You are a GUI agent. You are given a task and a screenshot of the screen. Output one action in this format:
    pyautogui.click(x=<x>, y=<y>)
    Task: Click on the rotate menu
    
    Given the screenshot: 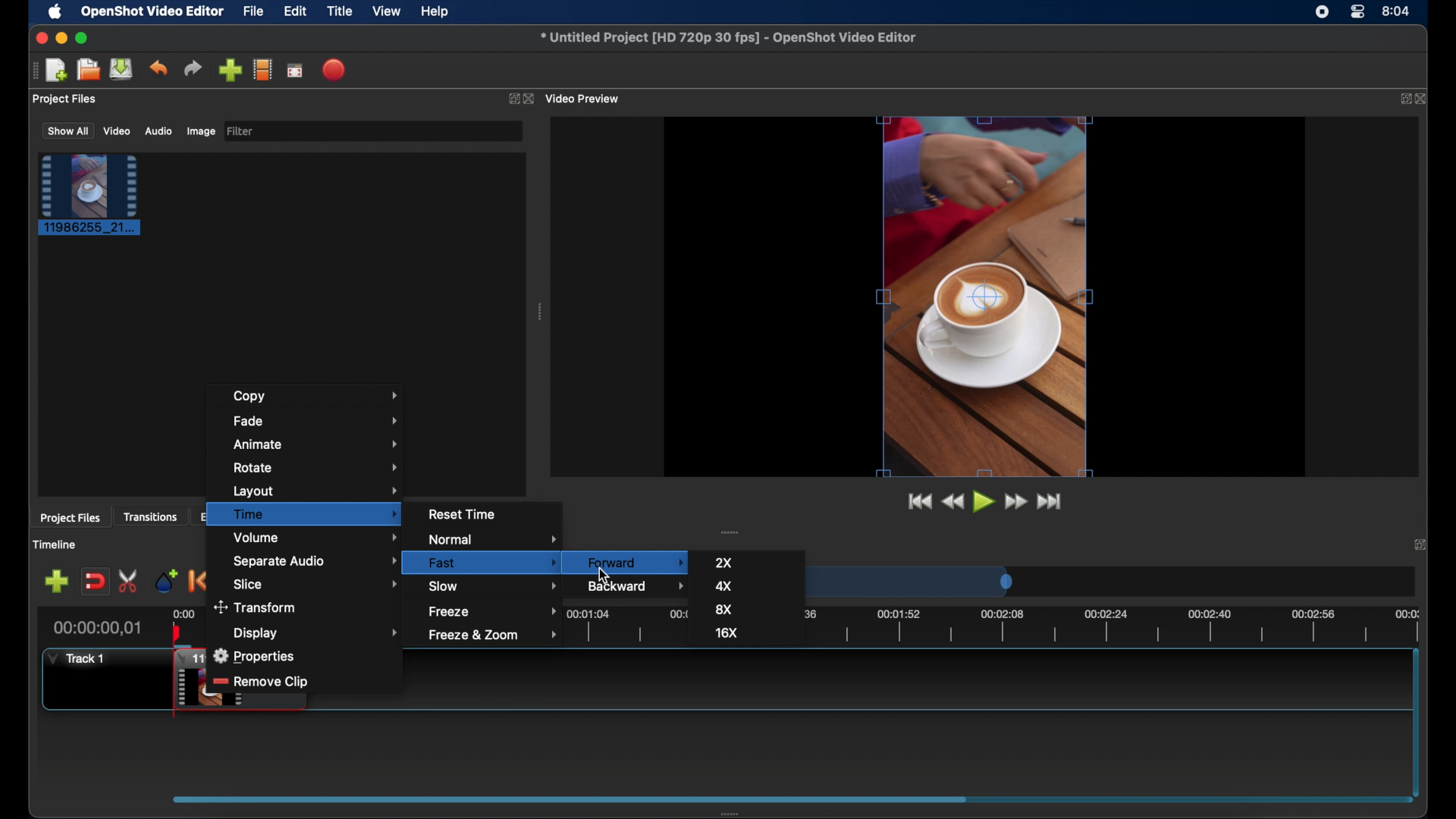 What is the action you would take?
    pyautogui.click(x=317, y=467)
    